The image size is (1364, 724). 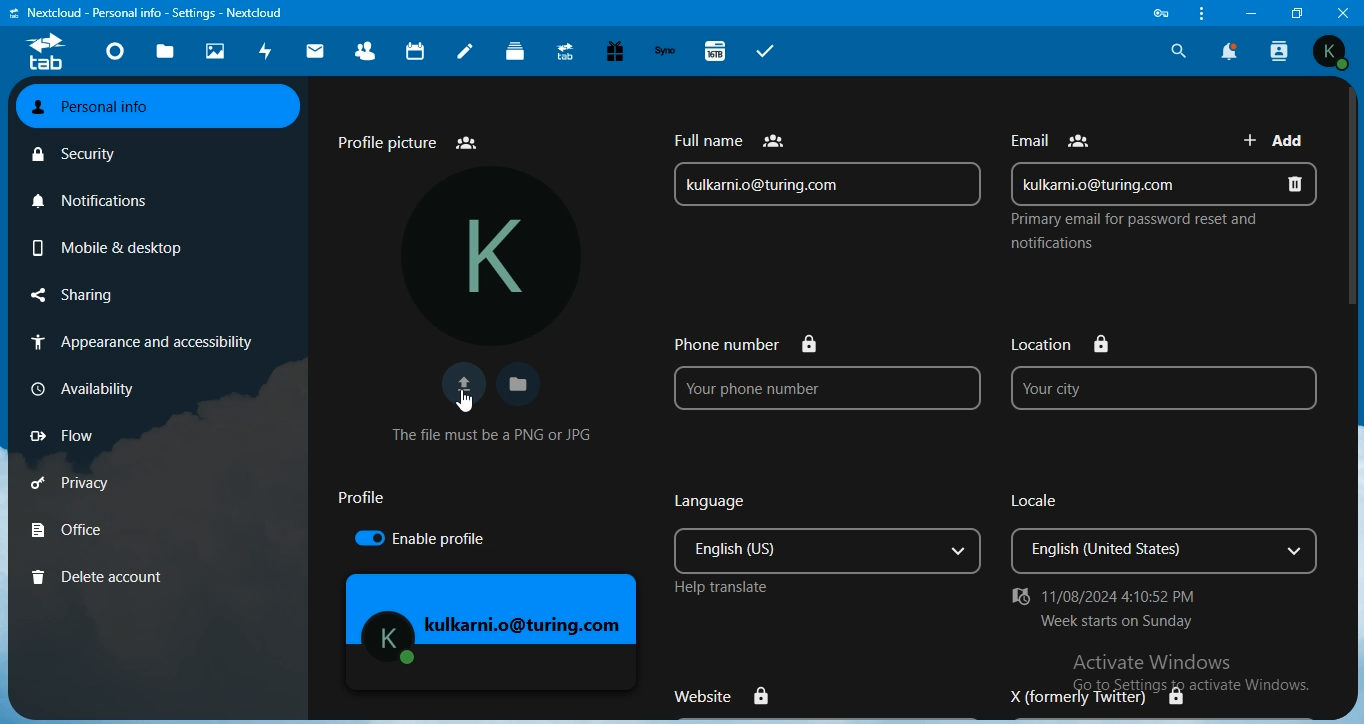 What do you see at coordinates (496, 438) in the screenshot?
I see `text` at bounding box center [496, 438].